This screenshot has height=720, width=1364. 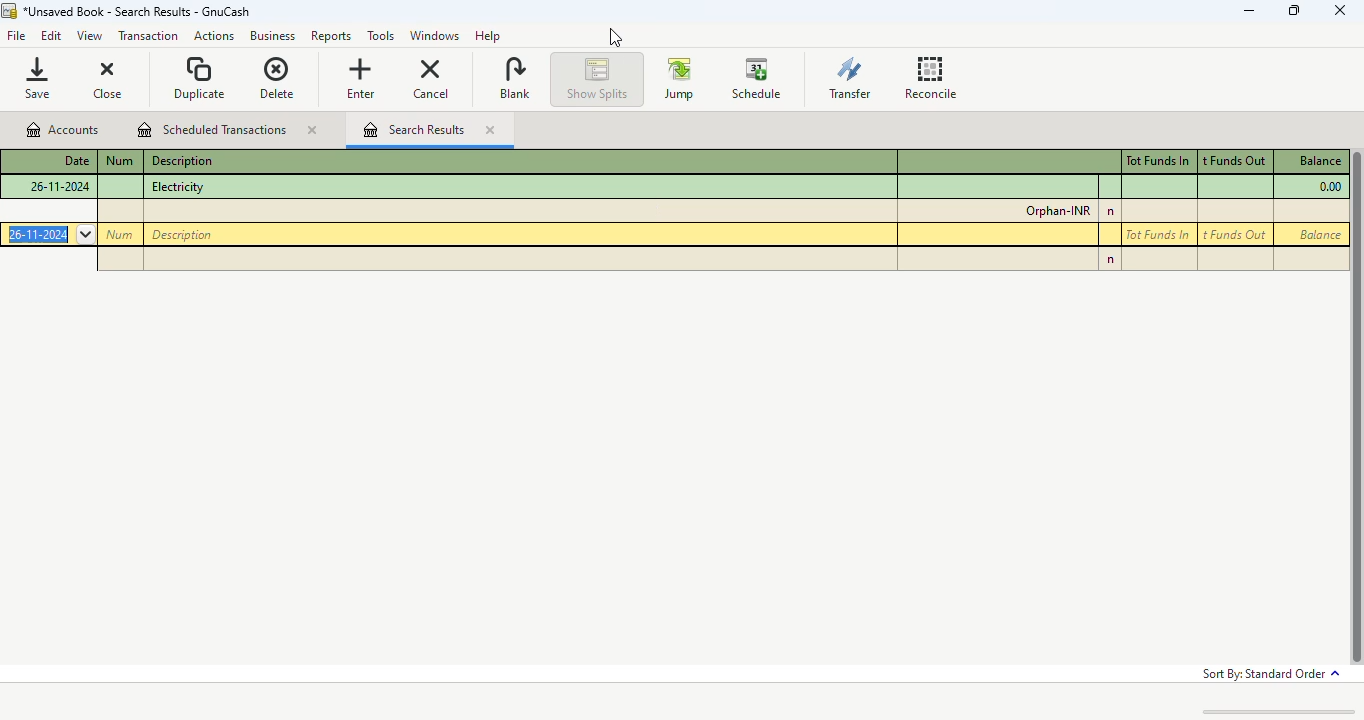 What do you see at coordinates (272, 36) in the screenshot?
I see `business` at bounding box center [272, 36].